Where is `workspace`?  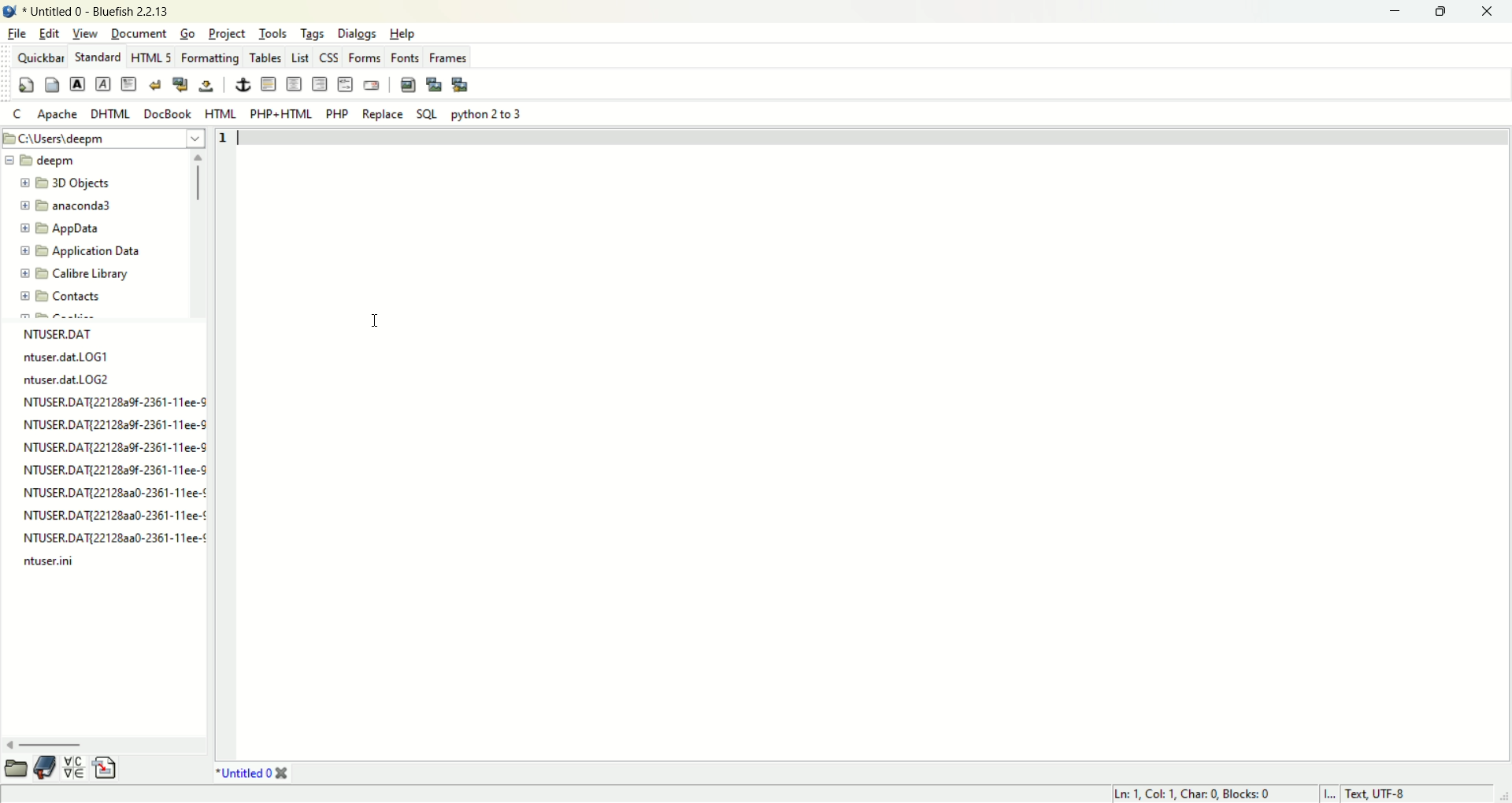
workspace is located at coordinates (875, 452).